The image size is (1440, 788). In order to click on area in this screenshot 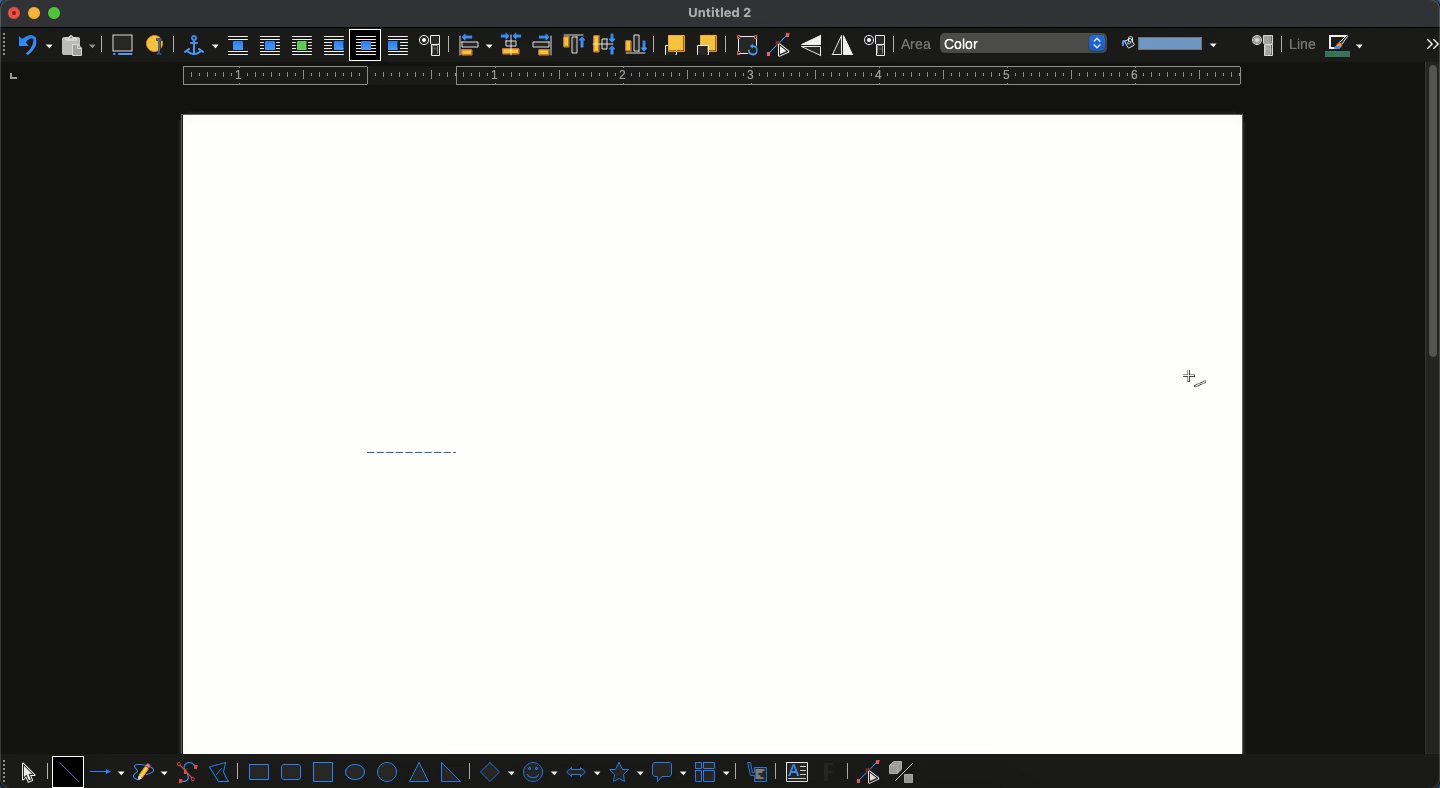, I will do `click(915, 45)`.